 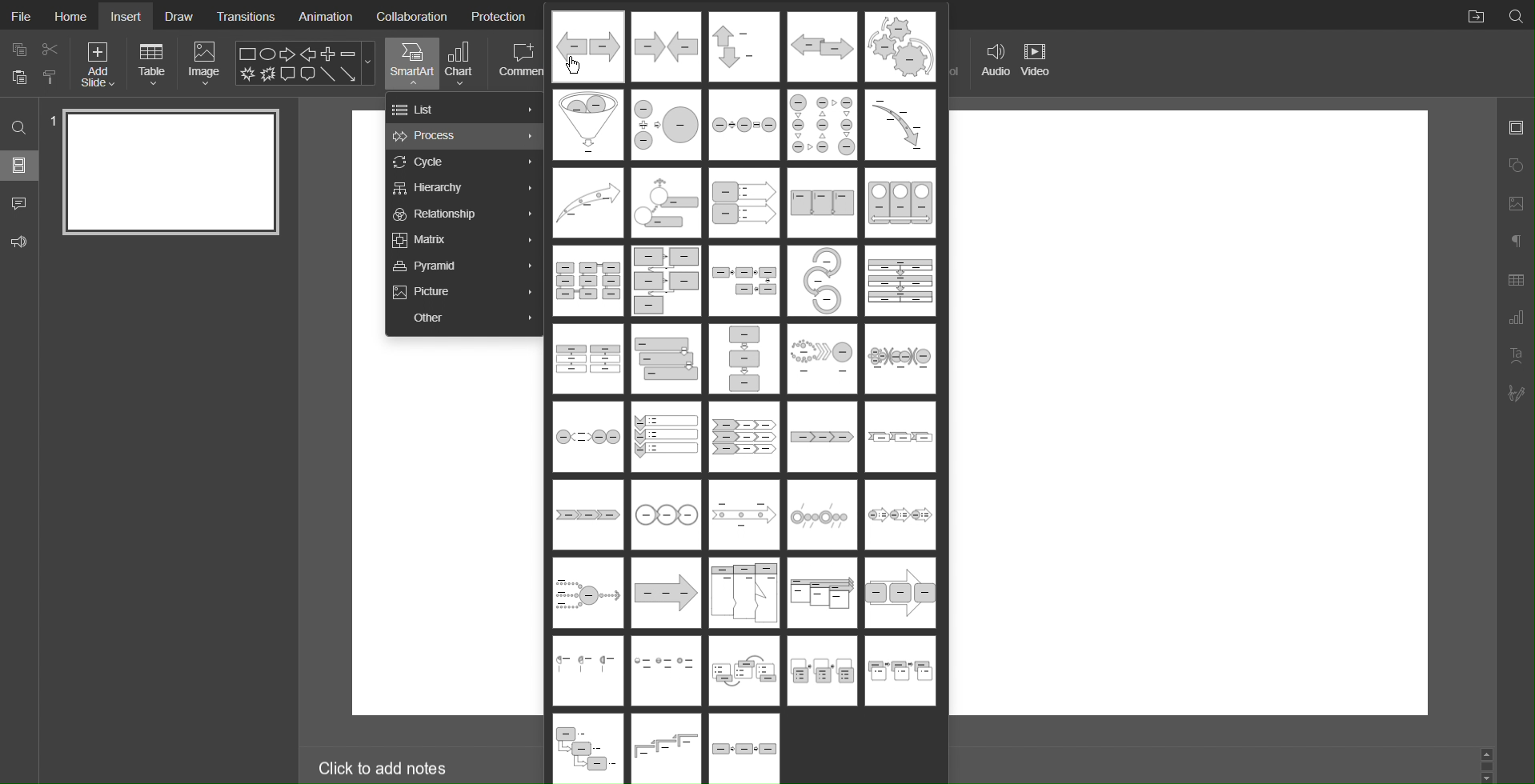 What do you see at coordinates (463, 136) in the screenshot?
I see `Process` at bounding box center [463, 136].